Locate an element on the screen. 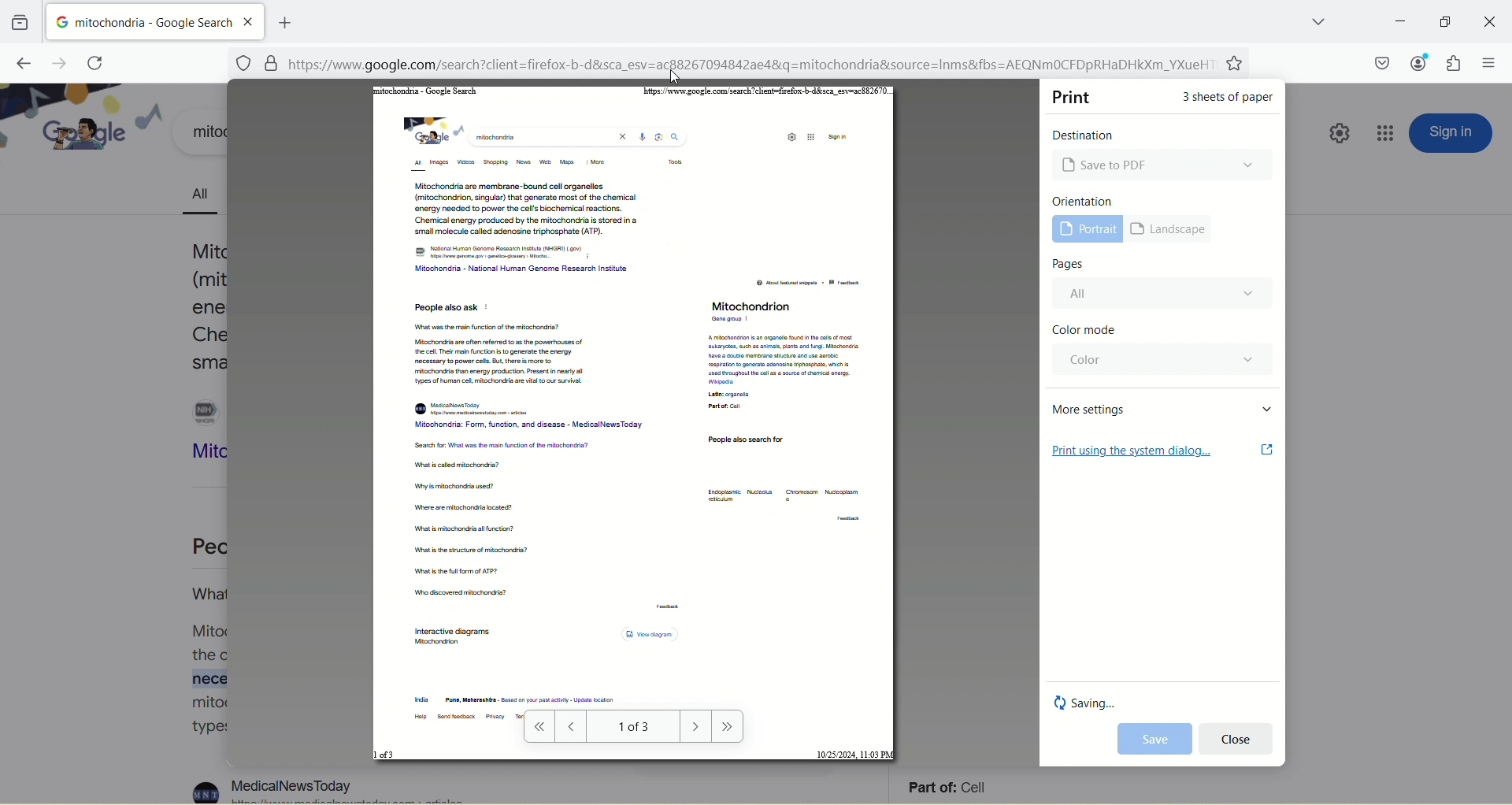  extension is located at coordinates (1457, 63).